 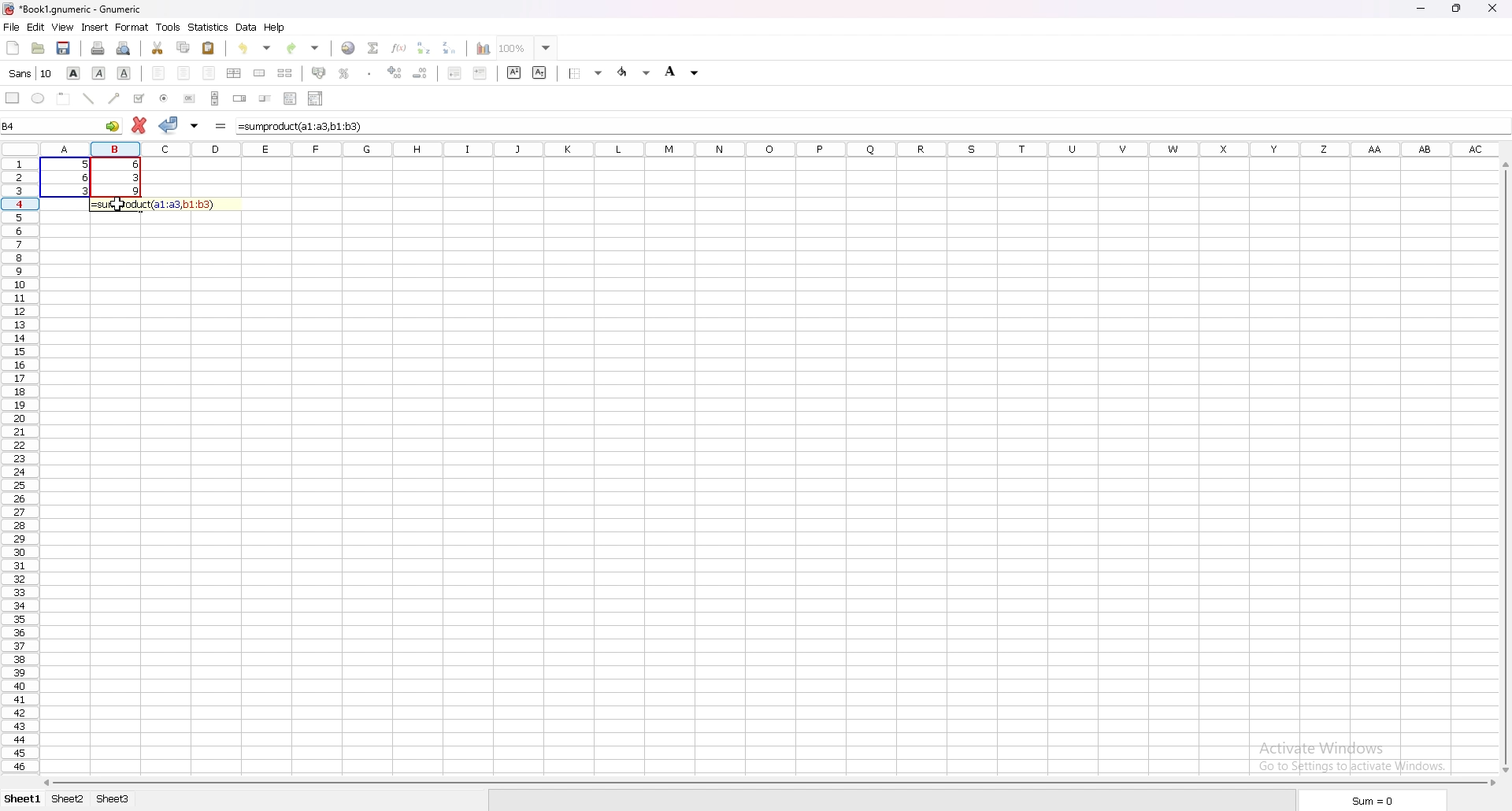 What do you see at coordinates (370, 72) in the screenshot?
I see `thousand separator` at bounding box center [370, 72].